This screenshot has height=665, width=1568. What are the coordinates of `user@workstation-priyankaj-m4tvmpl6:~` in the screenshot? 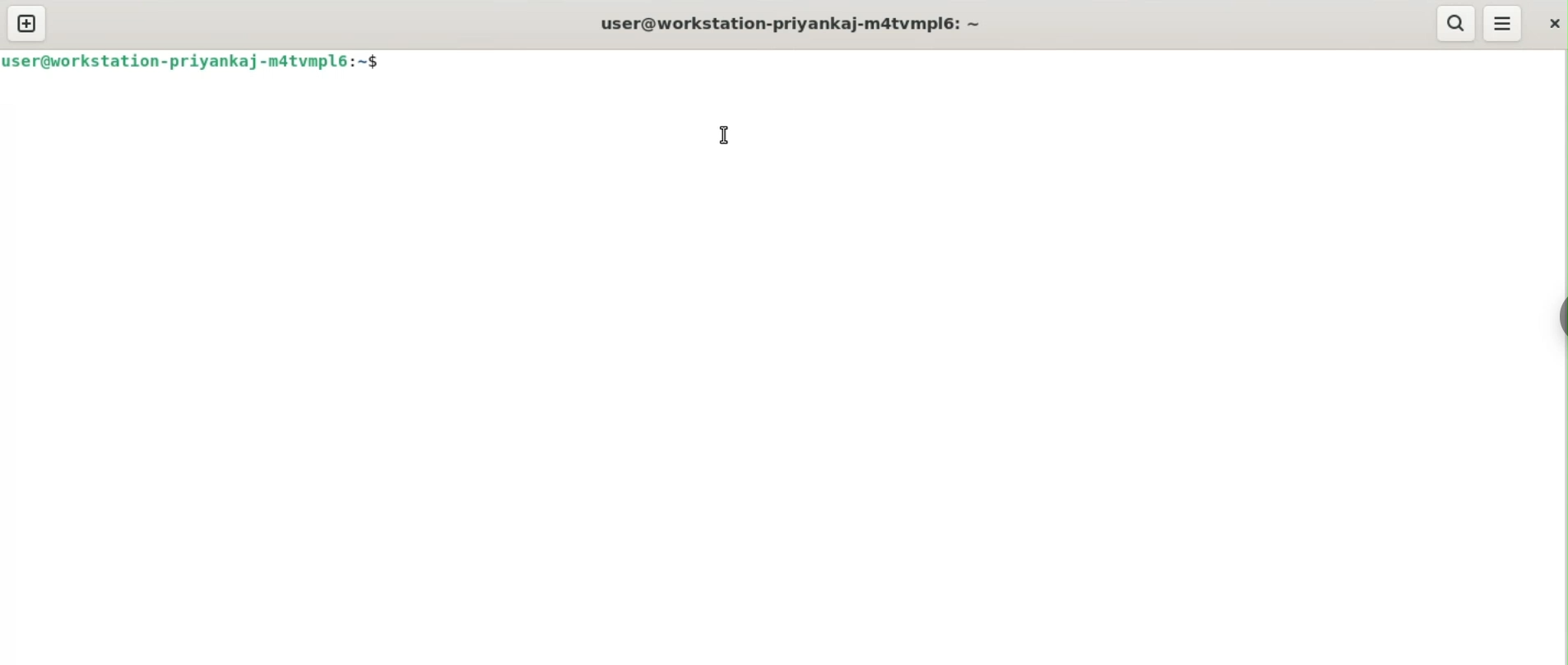 It's located at (787, 23).